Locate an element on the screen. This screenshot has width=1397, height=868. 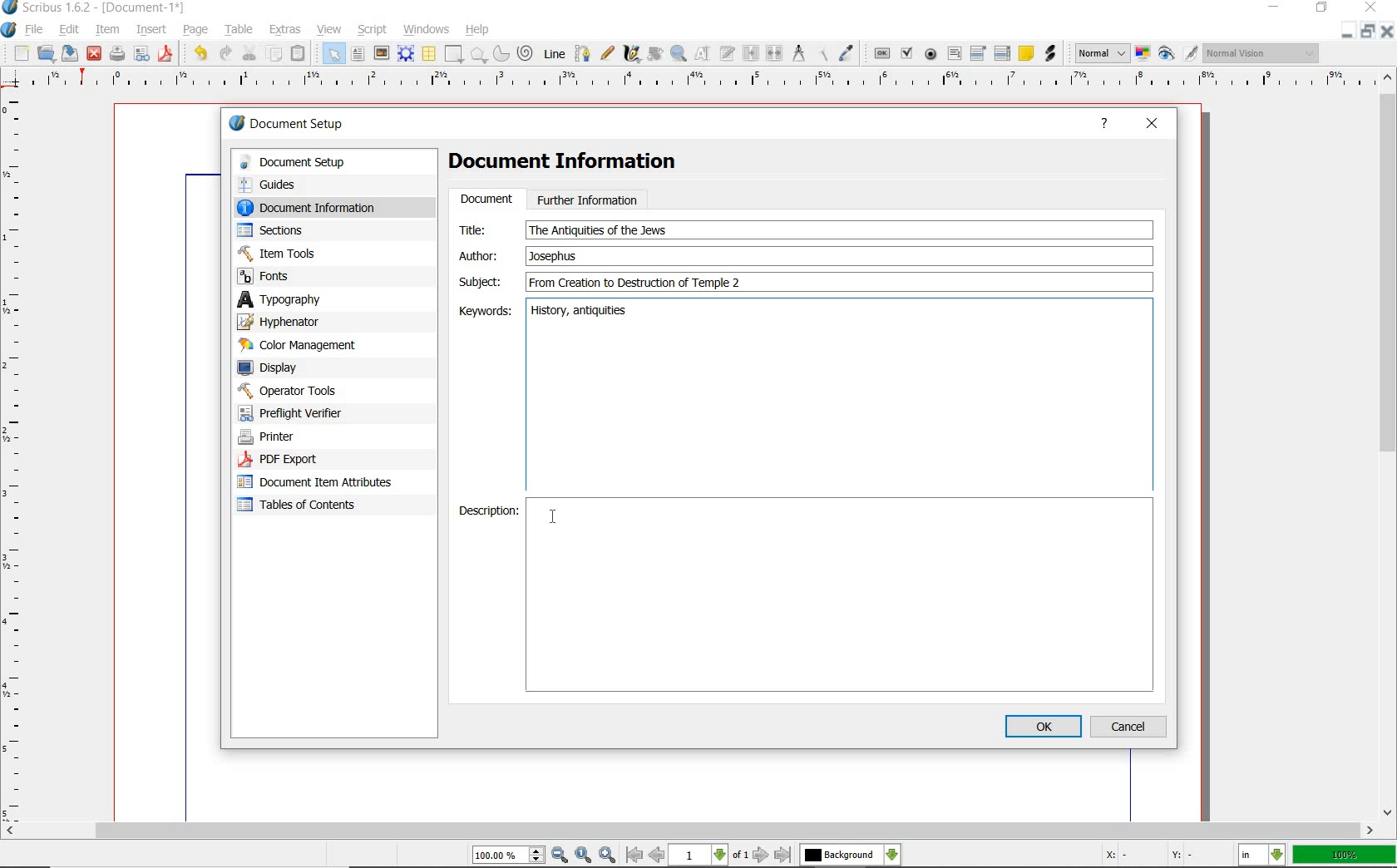
unlink text frames is located at coordinates (775, 52).